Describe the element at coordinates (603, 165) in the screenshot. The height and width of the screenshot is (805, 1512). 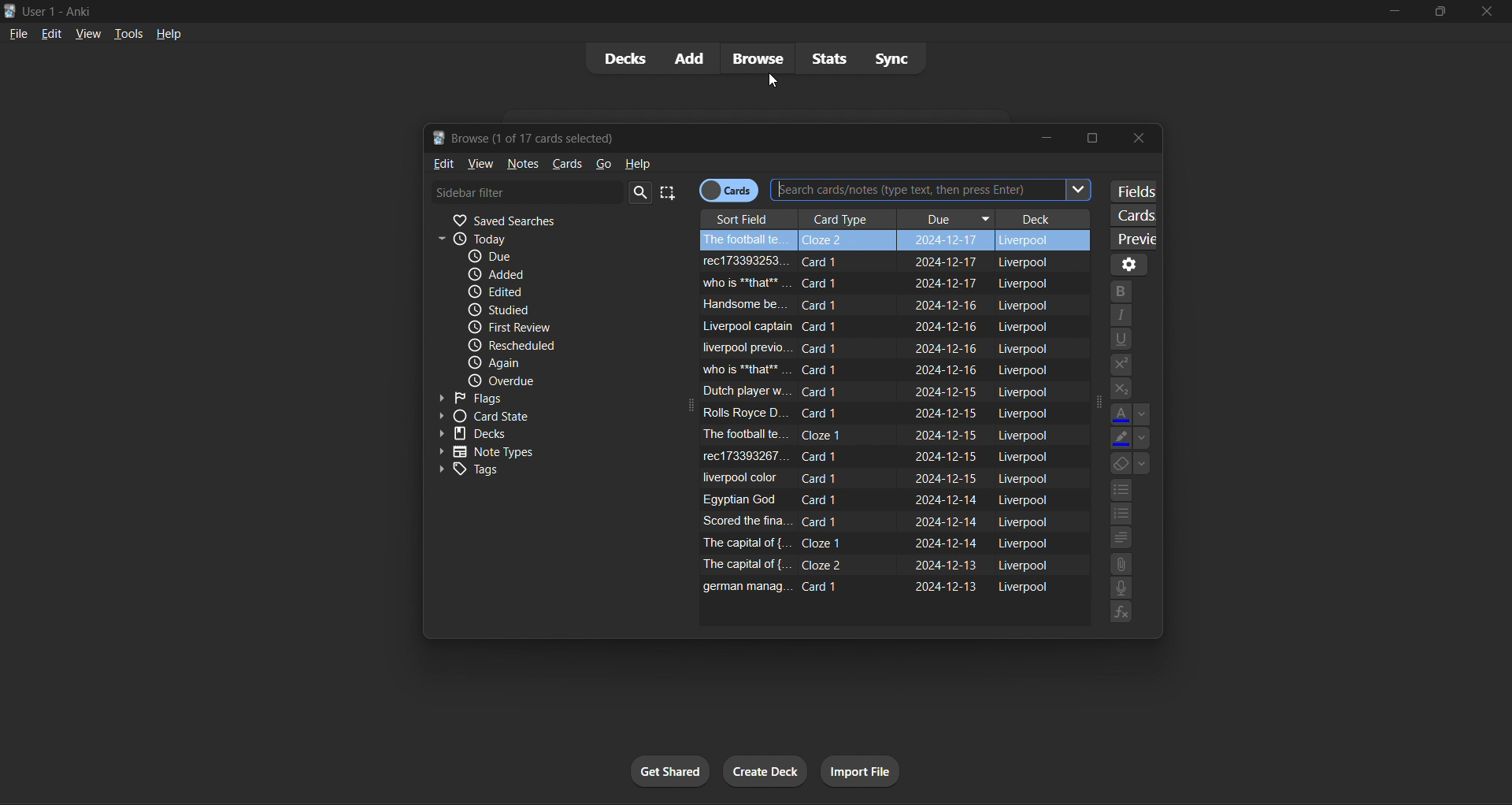
I see `go` at that location.